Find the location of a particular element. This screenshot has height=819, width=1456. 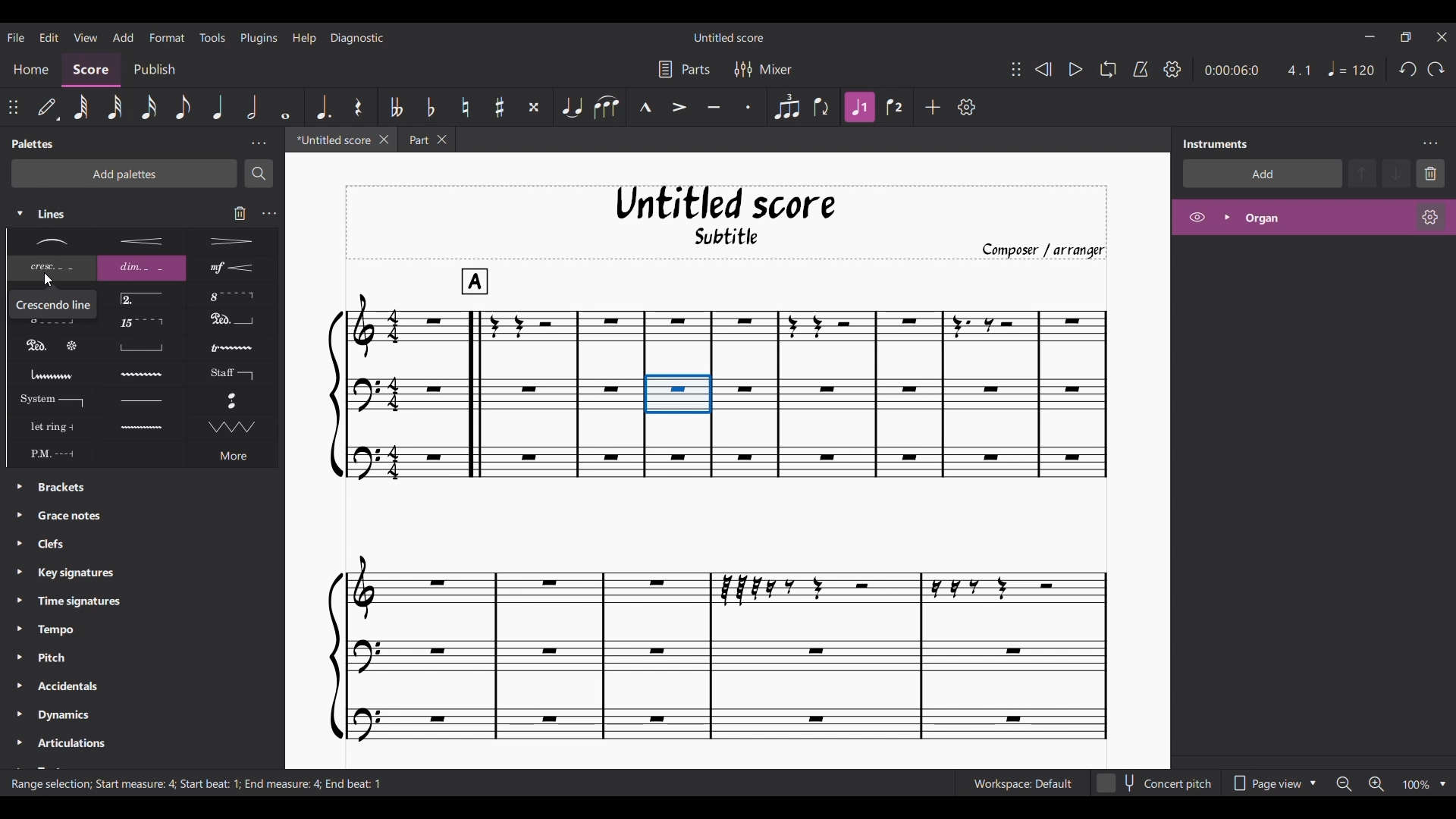

Publish section is located at coordinates (153, 70).